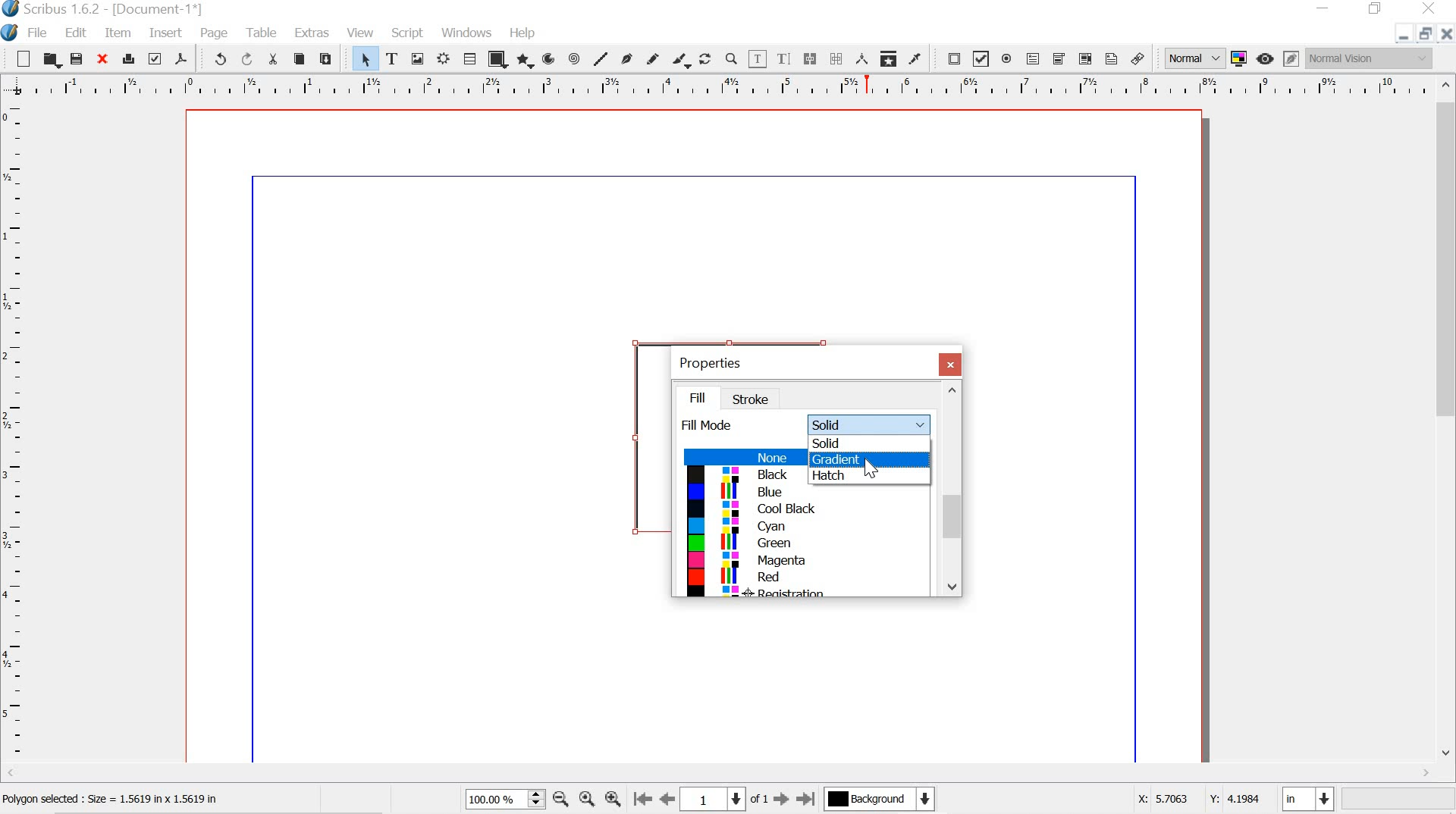  I want to click on zoom out, so click(560, 798).